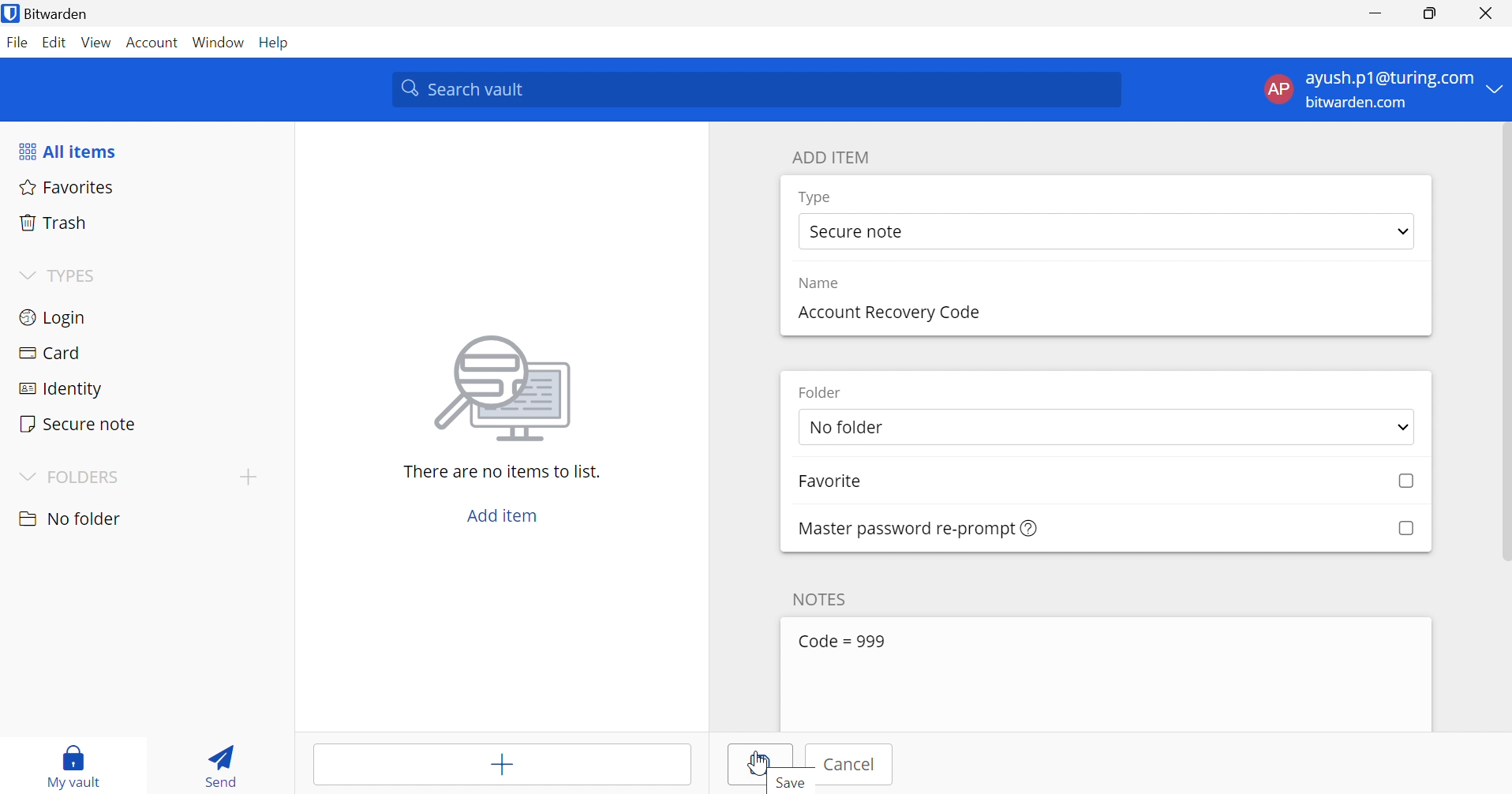  What do you see at coordinates (1030, 529) in the screenshot?
I see `info` at bounding box center [1030, 529].